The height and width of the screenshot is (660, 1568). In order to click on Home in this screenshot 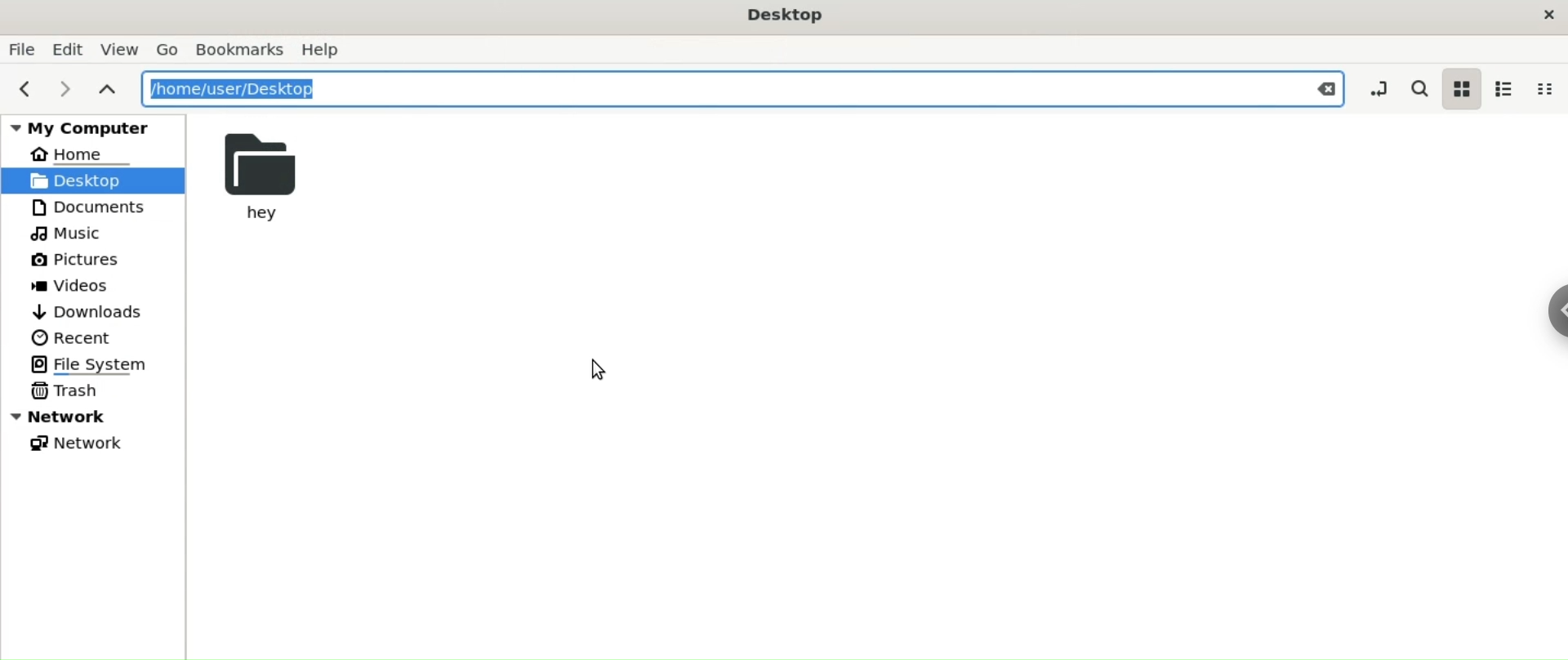, I will do `click(79, 153)`.